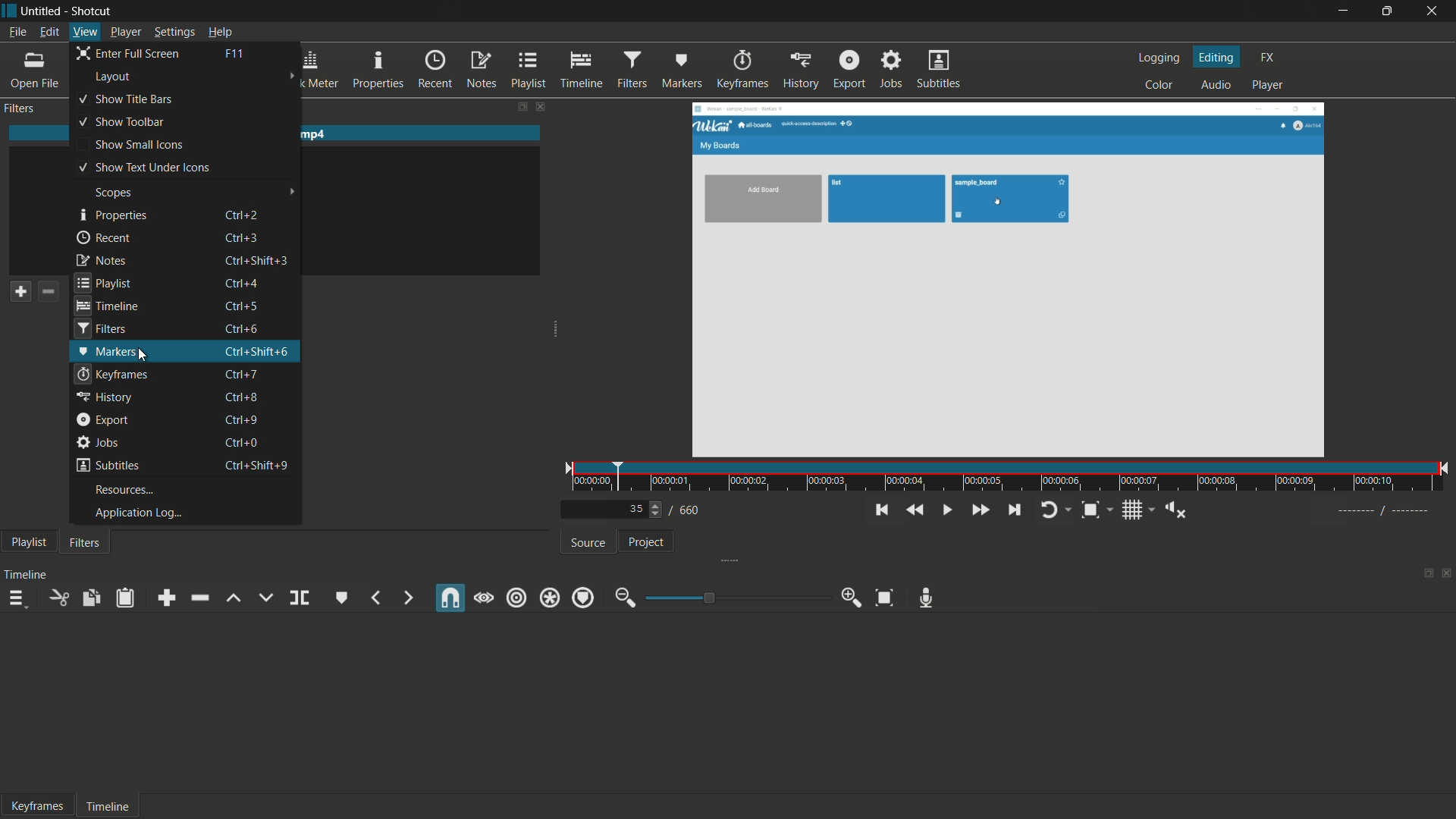  What do you see at coordinates (589, 543) in the screenshot?
I see `source` at bounding box center [589, 543].